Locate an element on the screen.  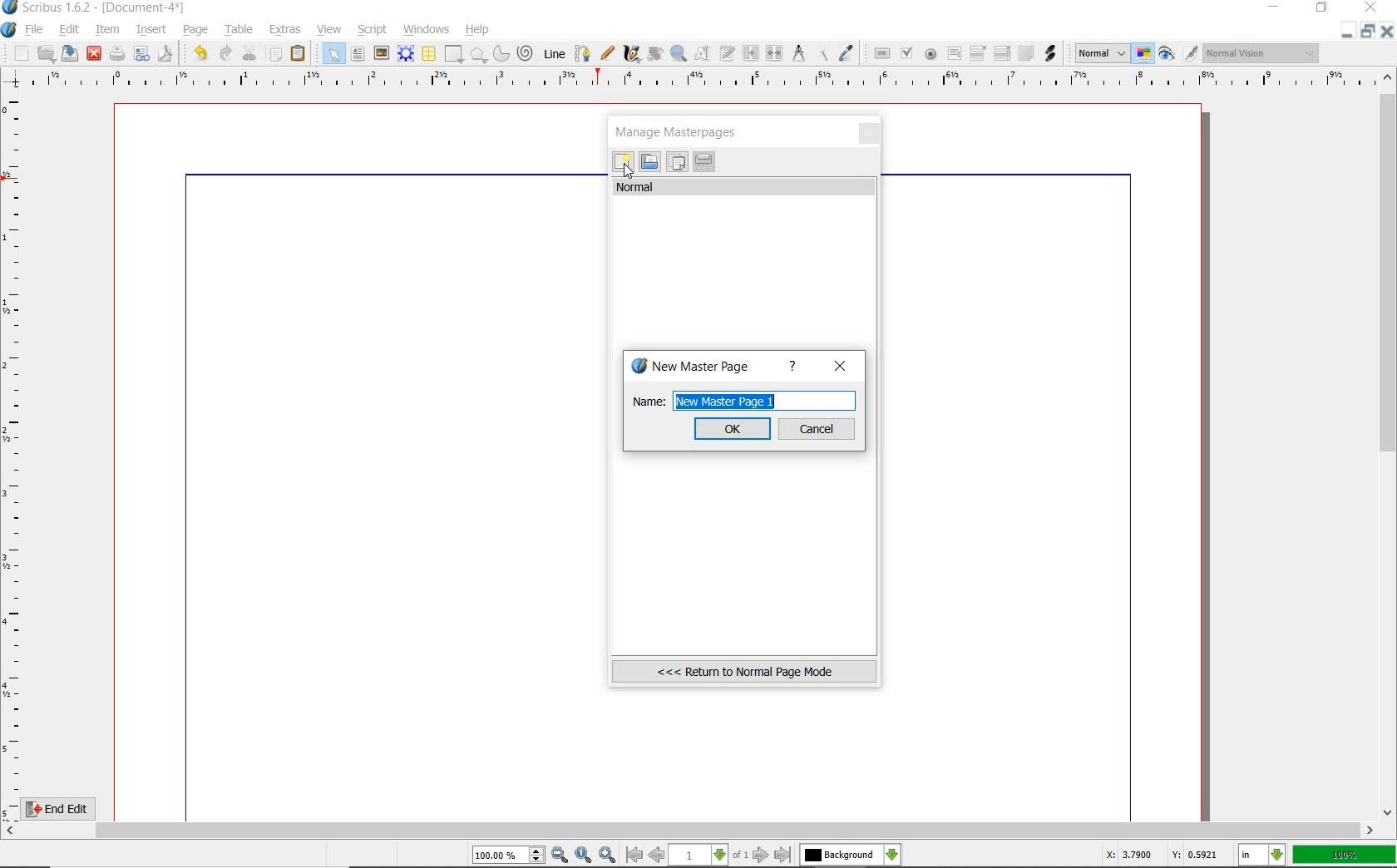
close is located at coordinates (871, 135).